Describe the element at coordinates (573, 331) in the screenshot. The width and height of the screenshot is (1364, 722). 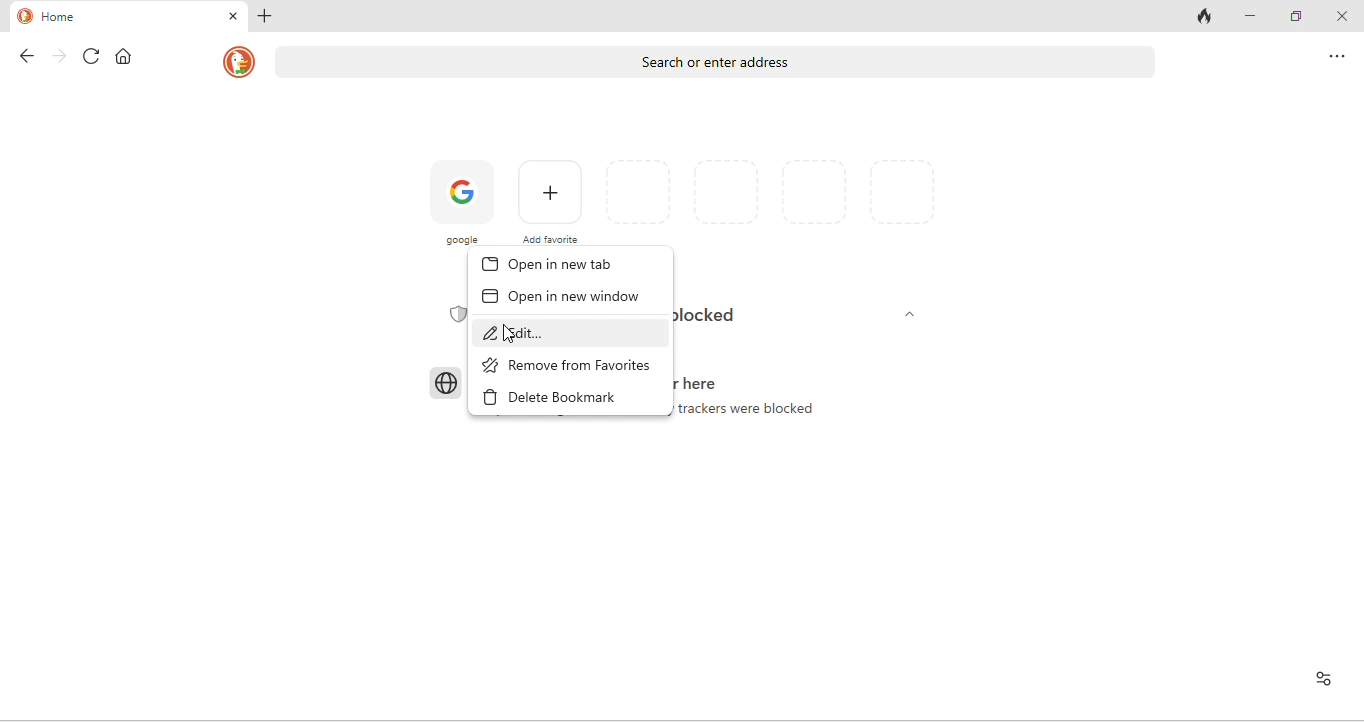
I see `edit` at that location.